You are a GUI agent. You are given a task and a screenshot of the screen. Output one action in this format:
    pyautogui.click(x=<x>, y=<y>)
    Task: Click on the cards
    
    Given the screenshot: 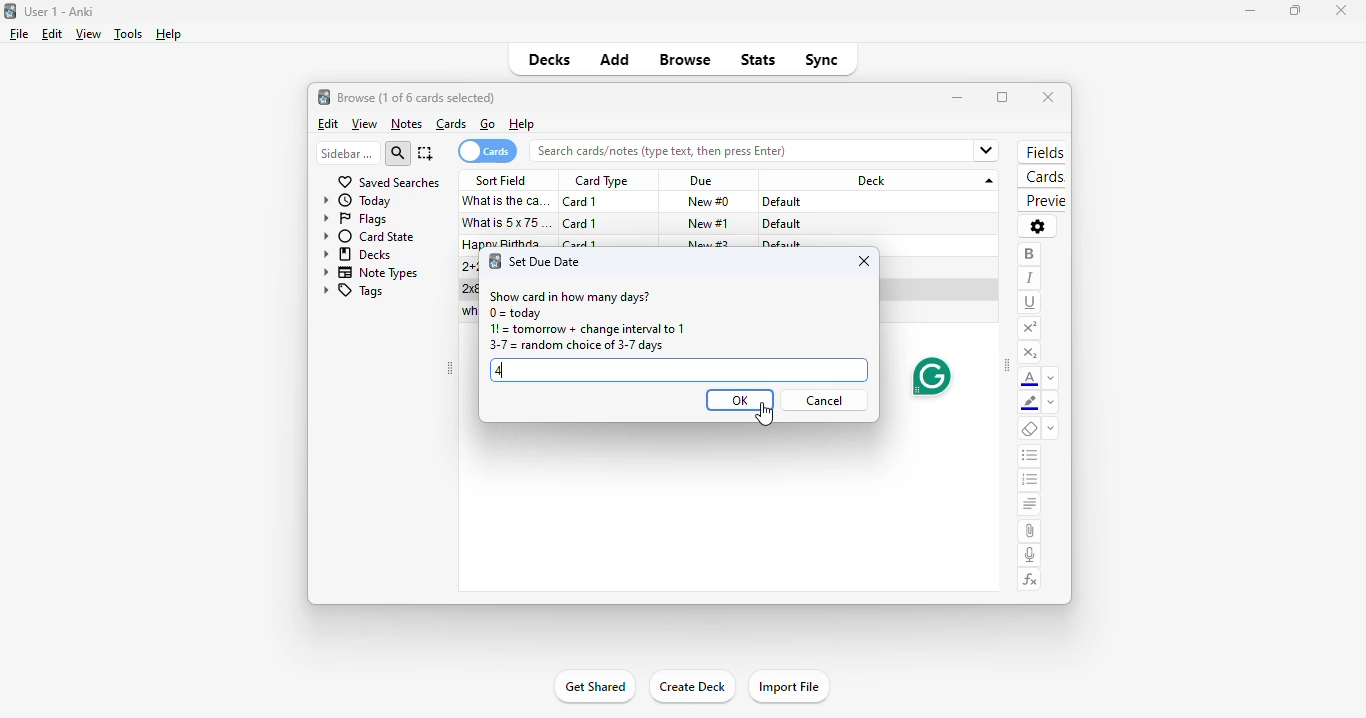 What is the action you would take?
    pyautogui.click(x=452, y=124)
    